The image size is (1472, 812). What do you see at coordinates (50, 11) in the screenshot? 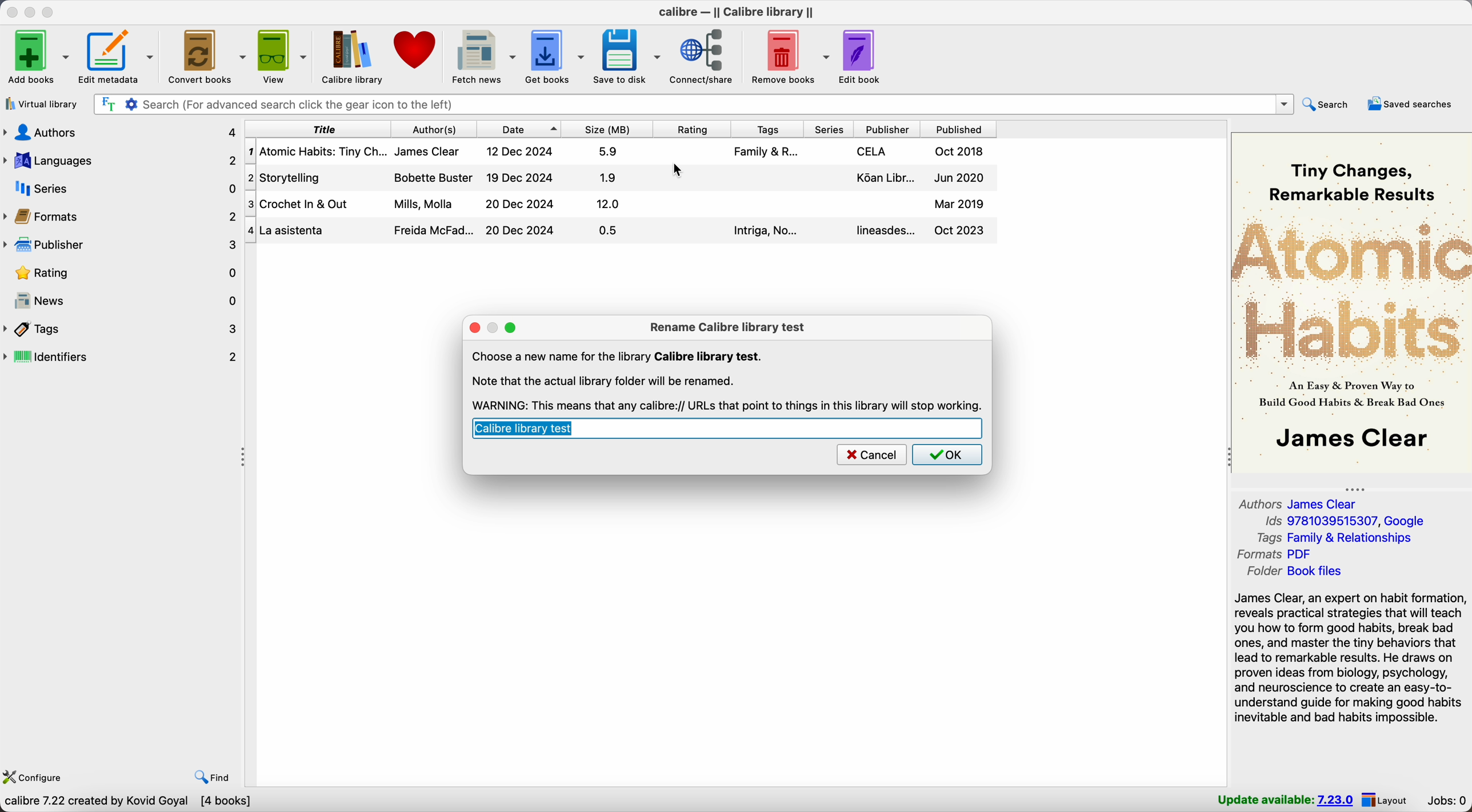
I see `maximize Calibre` at bounding box center [50, 11].